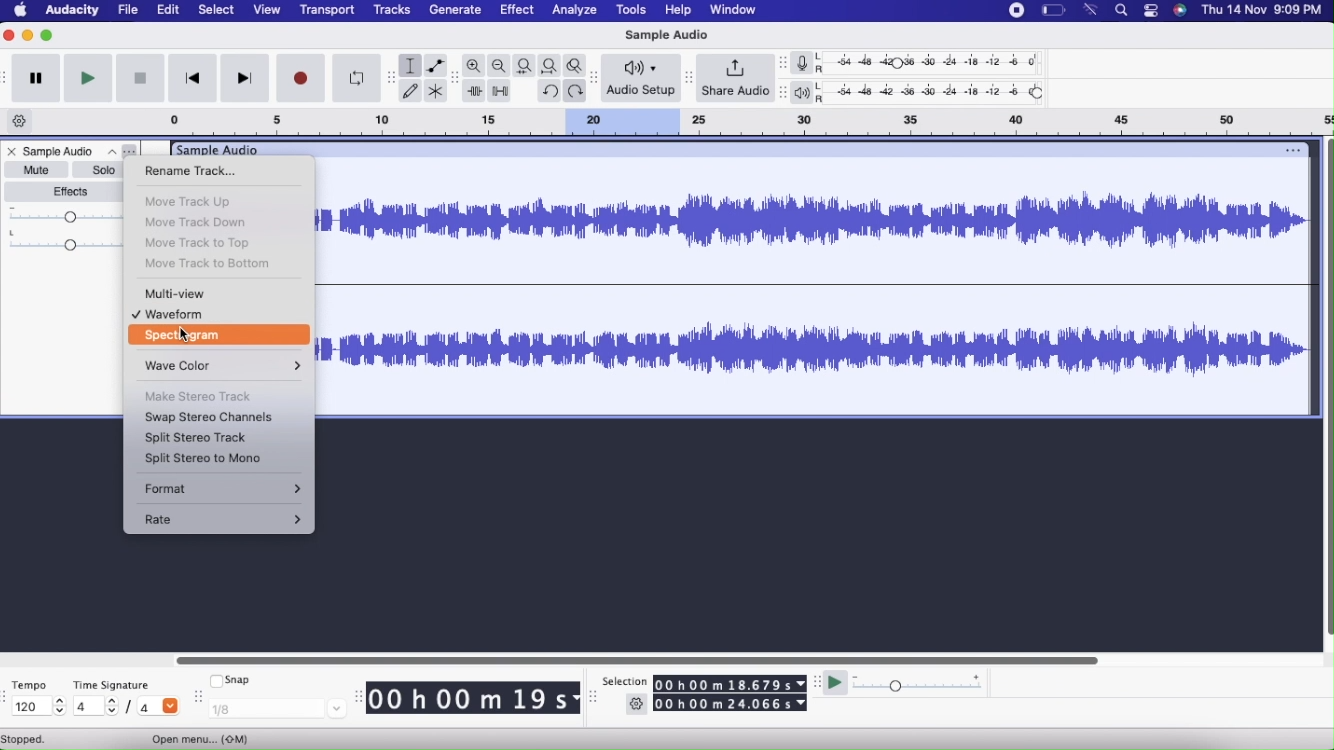  What do you see at coordinates (1152, 10) in the screenshot?
I see `control panel` at bounding box center [1152, 10].